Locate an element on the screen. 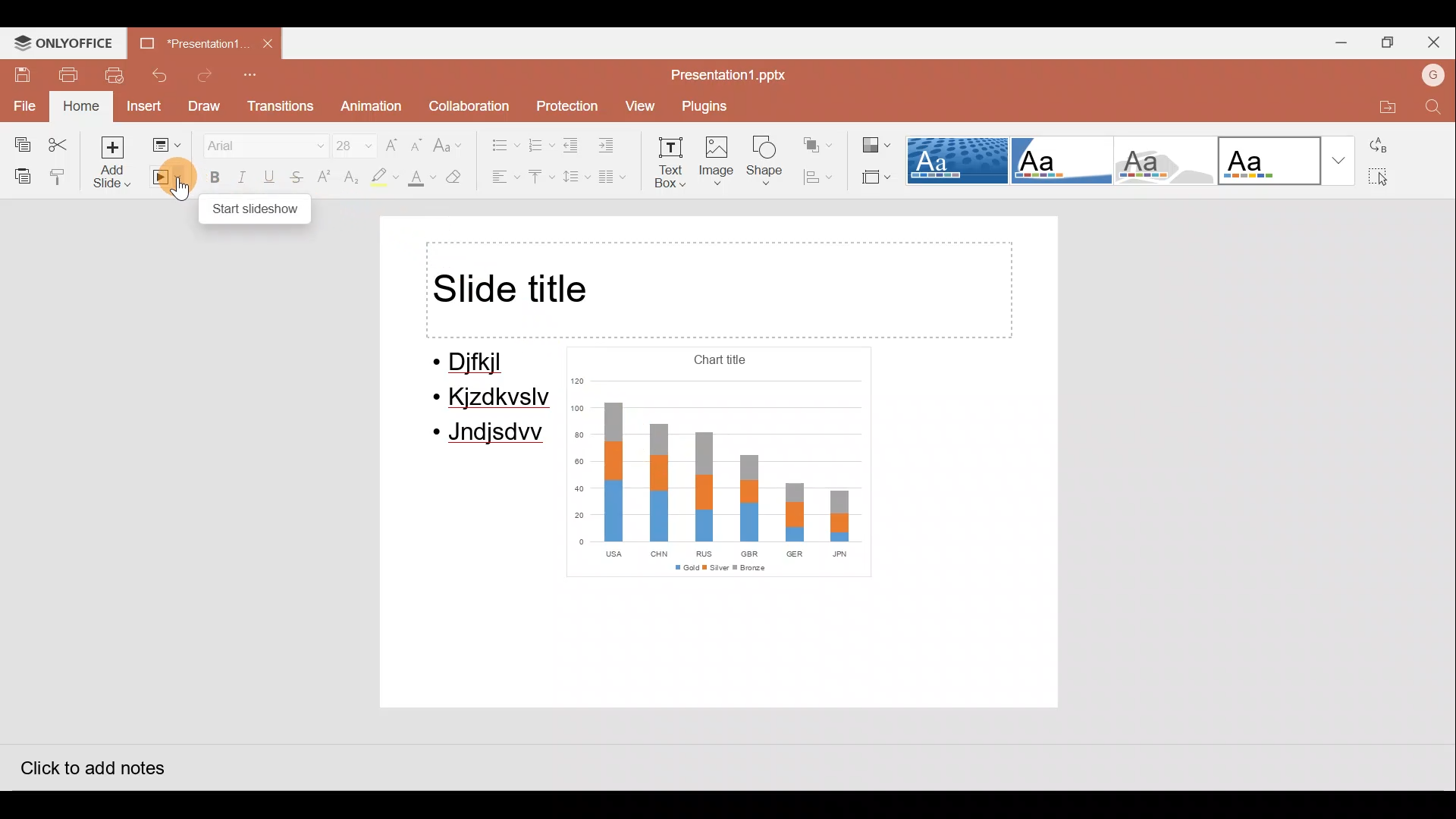 This screenshot has width=1456, height=819. Insert columns is located at coordinates (613, 175).